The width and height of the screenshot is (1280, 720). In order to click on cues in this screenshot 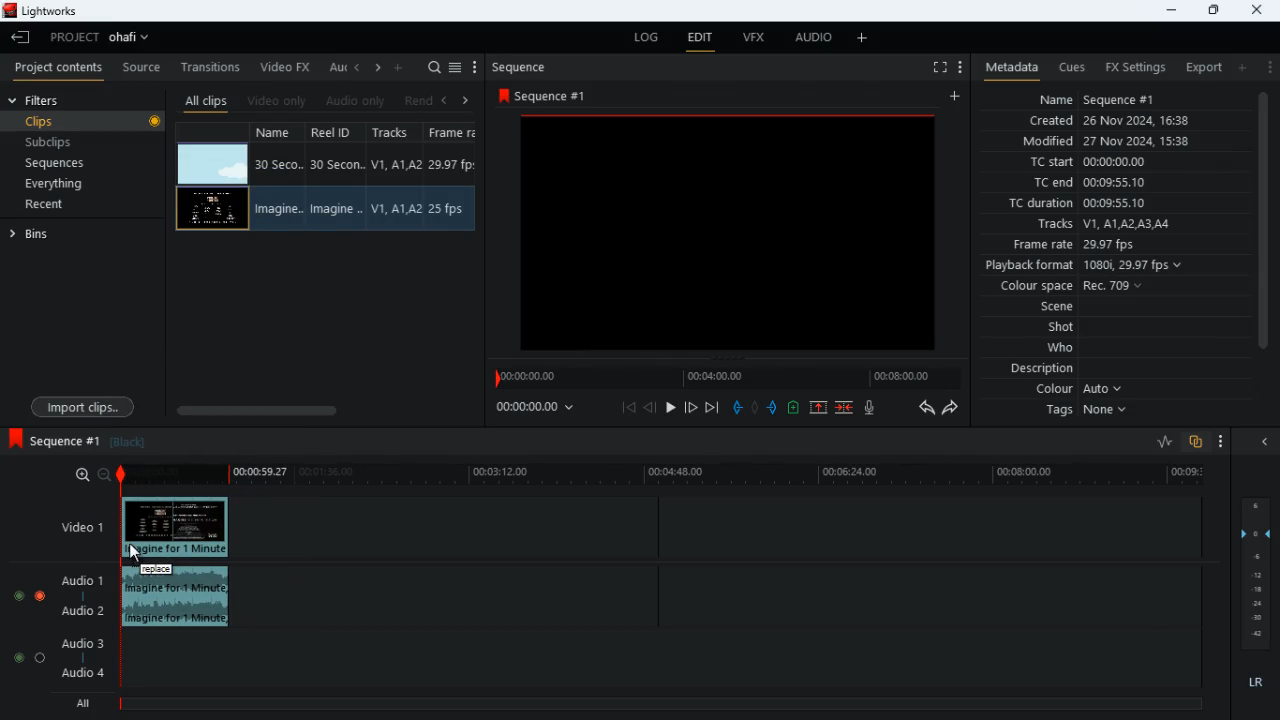, I will do `click(1066, 67)`.